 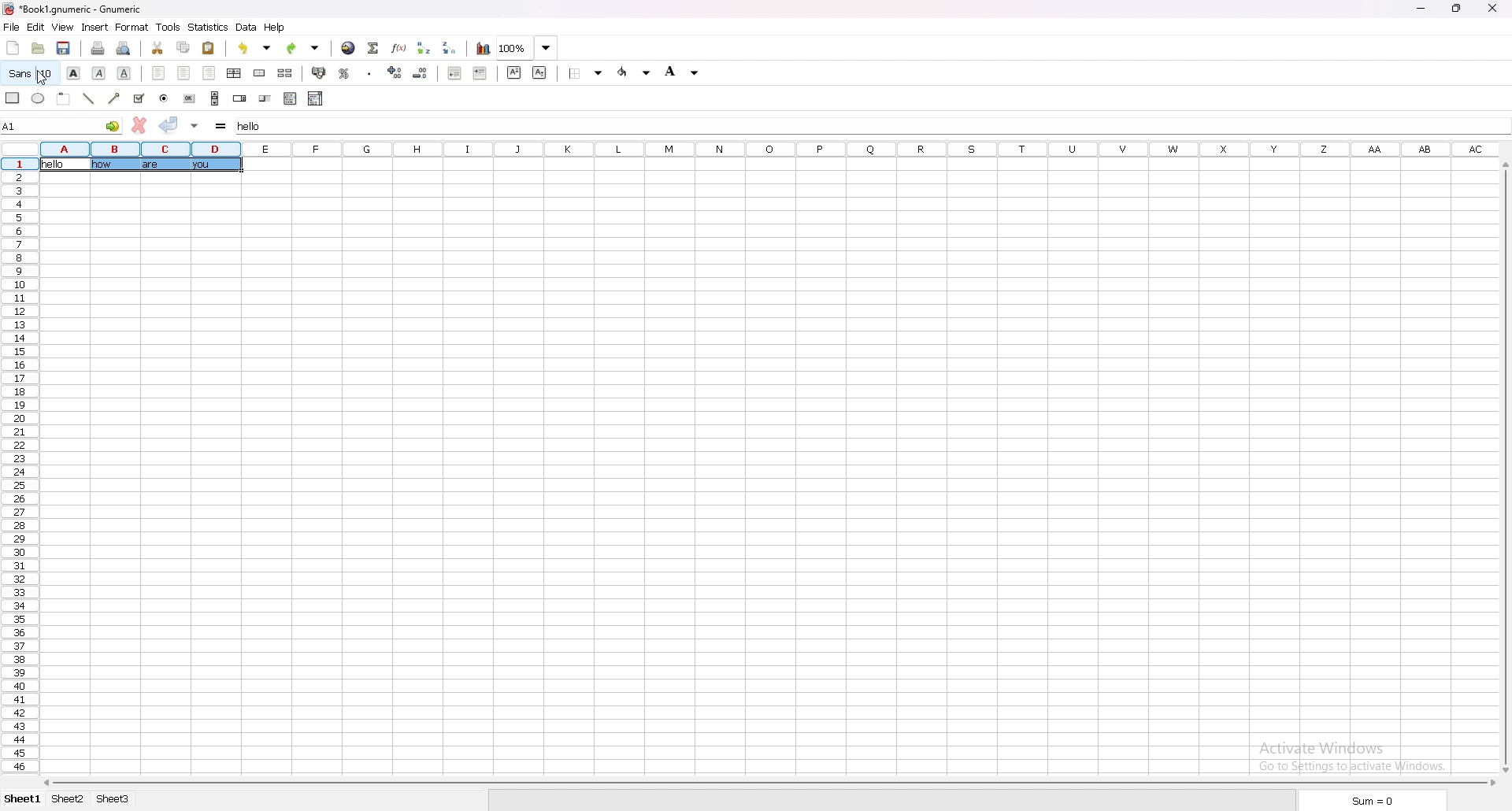 What do you see at coordinates (684, 71) in the screenshot?
I see `background` at bounding box center [684, 71].